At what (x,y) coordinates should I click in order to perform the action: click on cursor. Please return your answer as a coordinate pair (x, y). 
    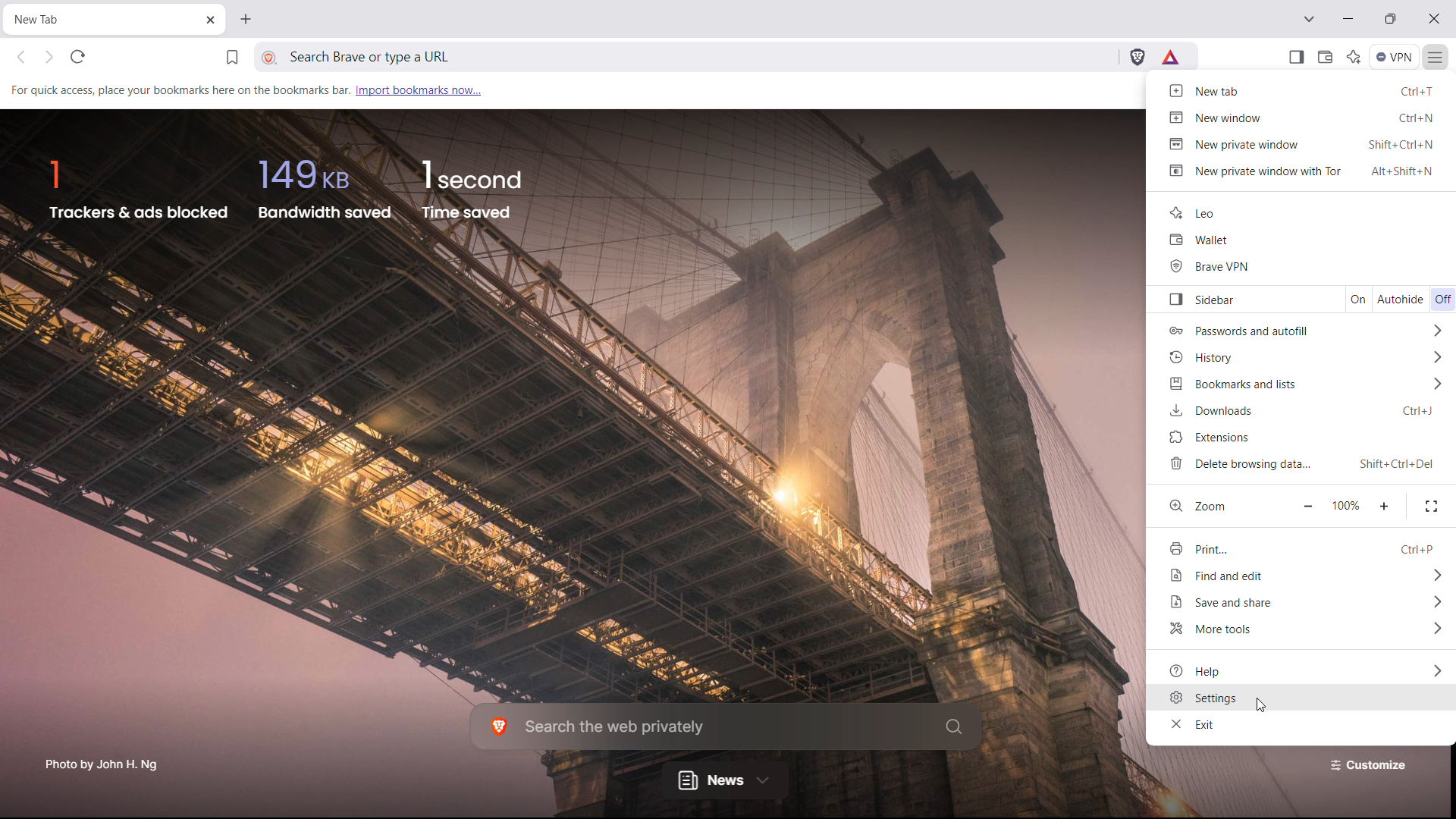
    Looking at the image, I should click on (1267, 705).